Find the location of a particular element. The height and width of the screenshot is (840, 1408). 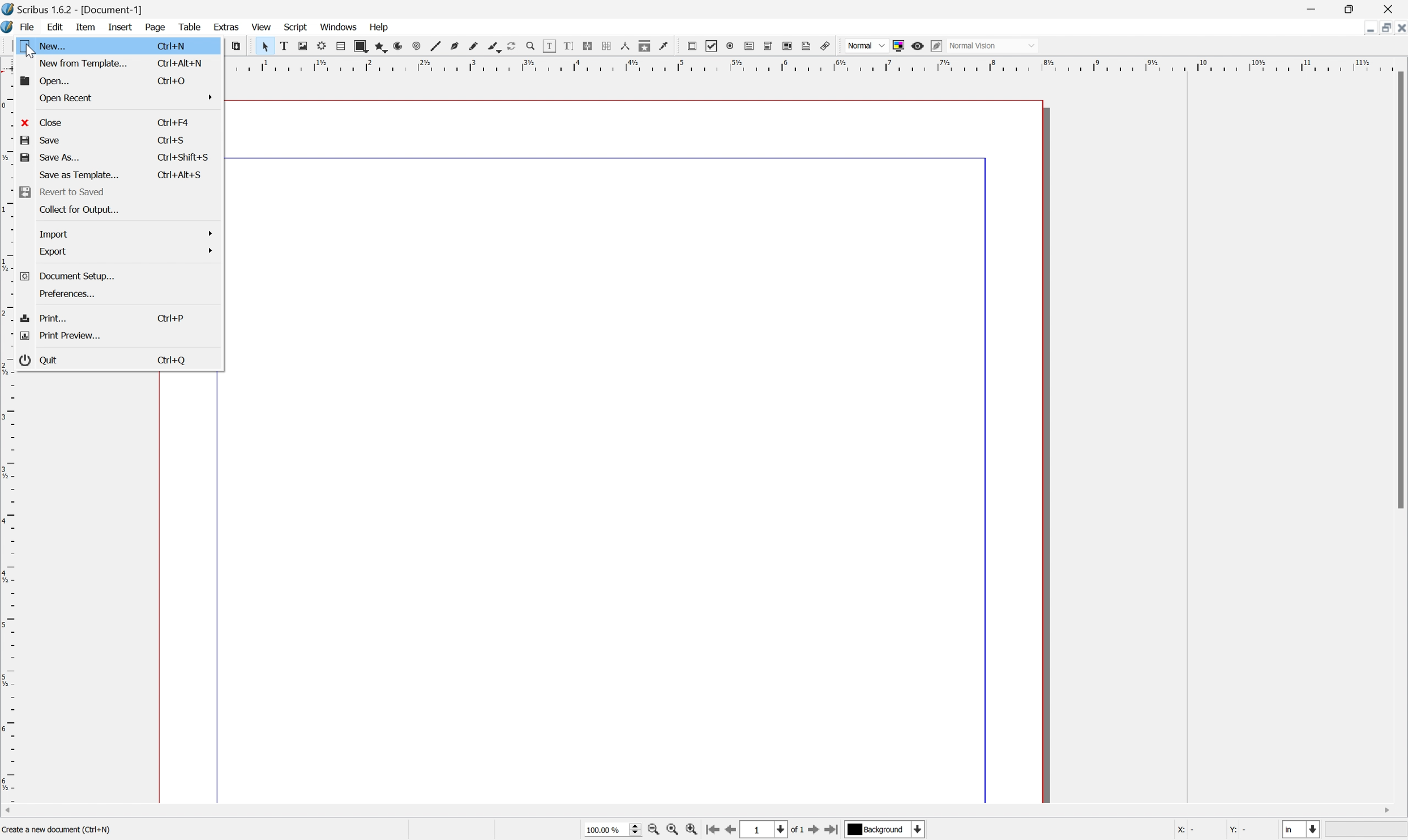

go to next page is located at coordinates (814, 831).